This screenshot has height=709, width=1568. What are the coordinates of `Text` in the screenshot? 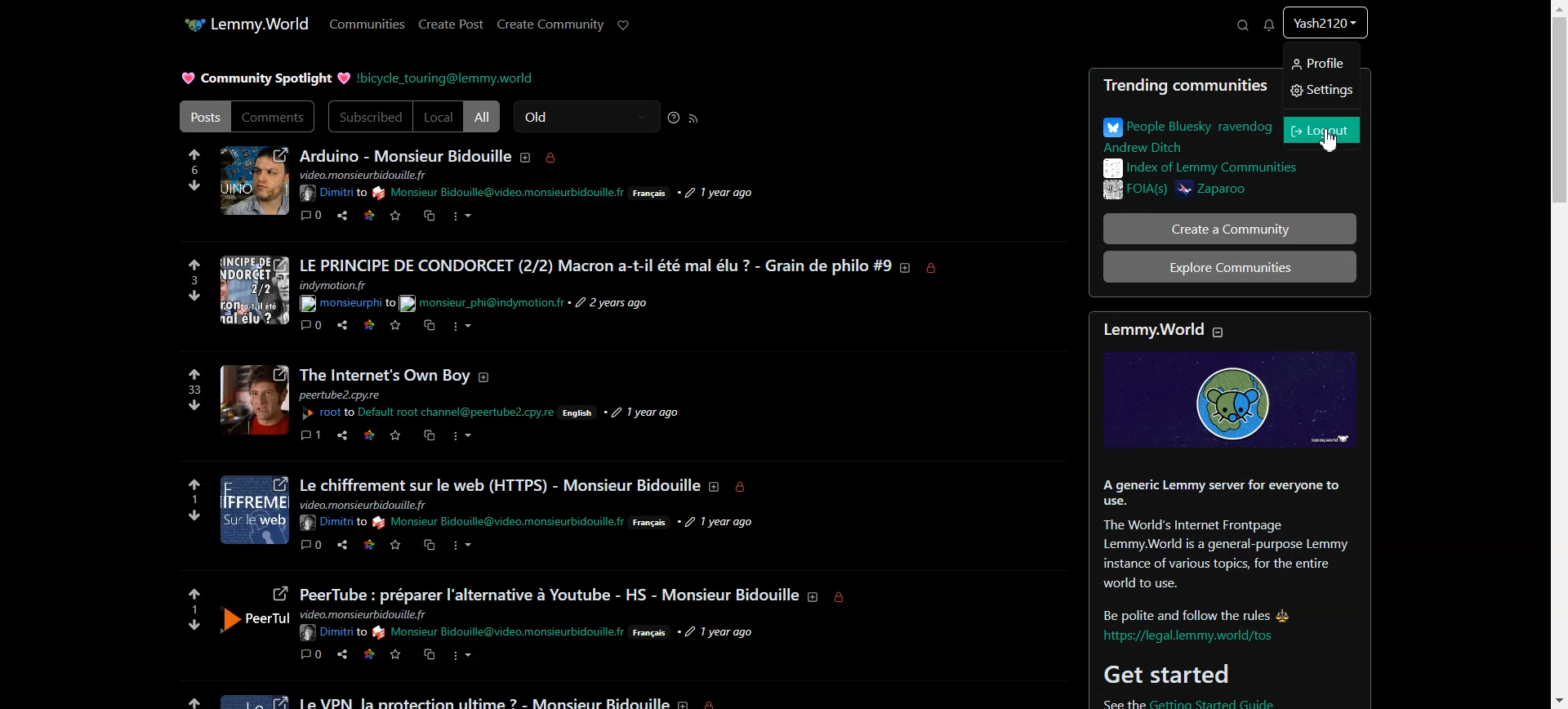 It's located at (407, 154).